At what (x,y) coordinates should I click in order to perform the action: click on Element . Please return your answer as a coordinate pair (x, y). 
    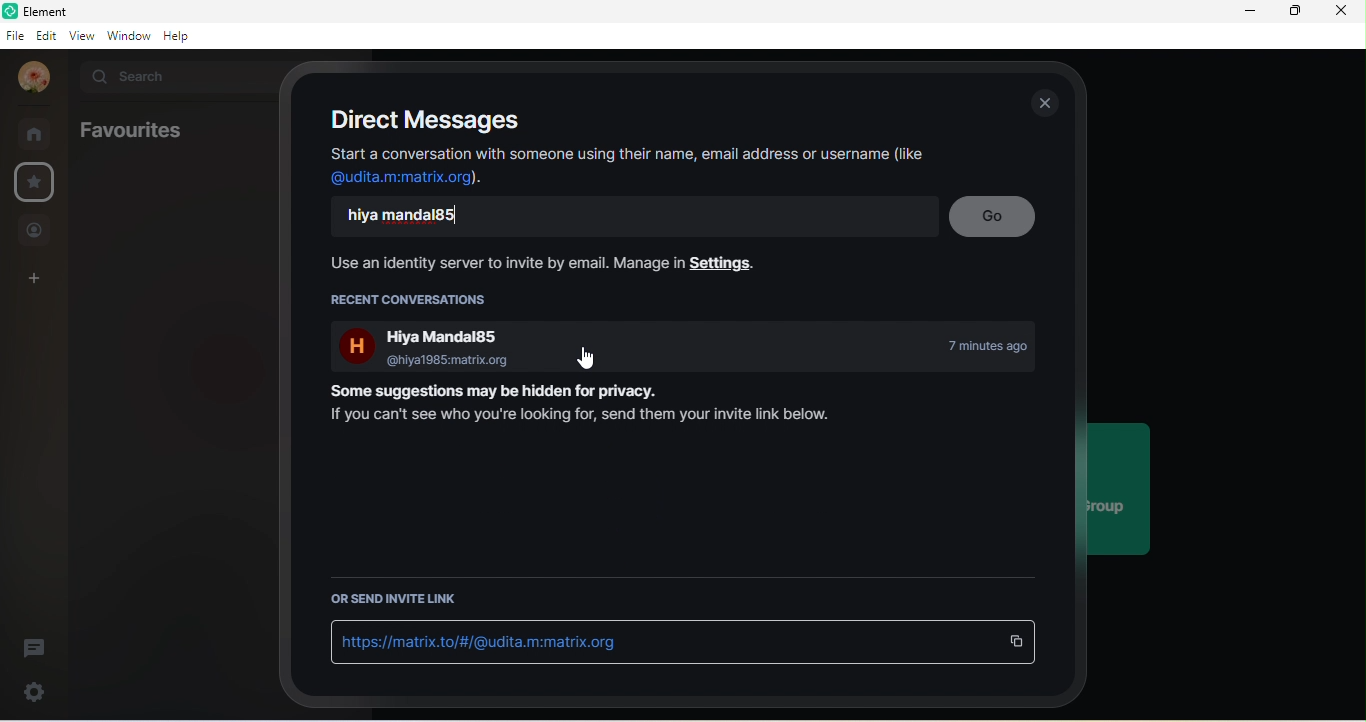
    Looking at the image, I should click on (134, 12).